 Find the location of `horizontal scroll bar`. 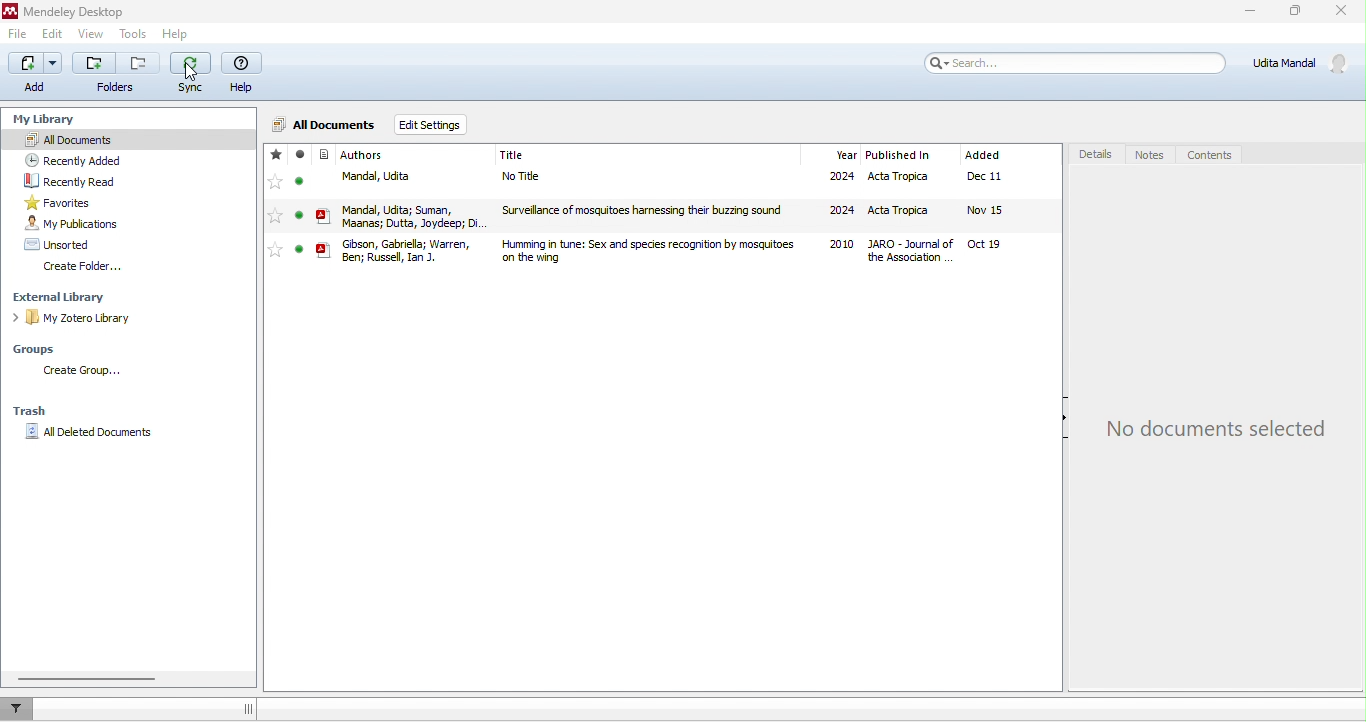

horizontal scroll bar is located at coordinates (89, 679).